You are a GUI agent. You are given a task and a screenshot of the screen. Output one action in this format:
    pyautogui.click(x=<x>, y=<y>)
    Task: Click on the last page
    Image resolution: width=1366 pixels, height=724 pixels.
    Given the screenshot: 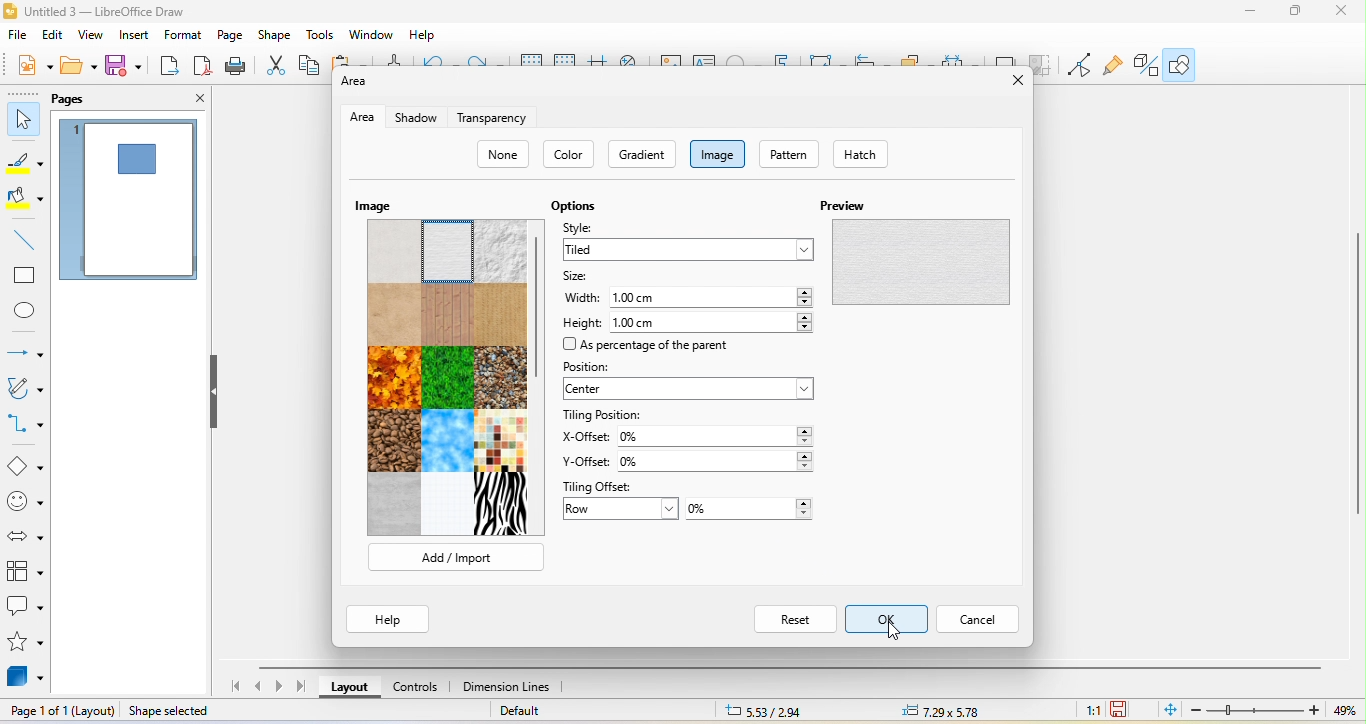 What is the action you would take?
    pyautogui.click(x=299, y=687)
    